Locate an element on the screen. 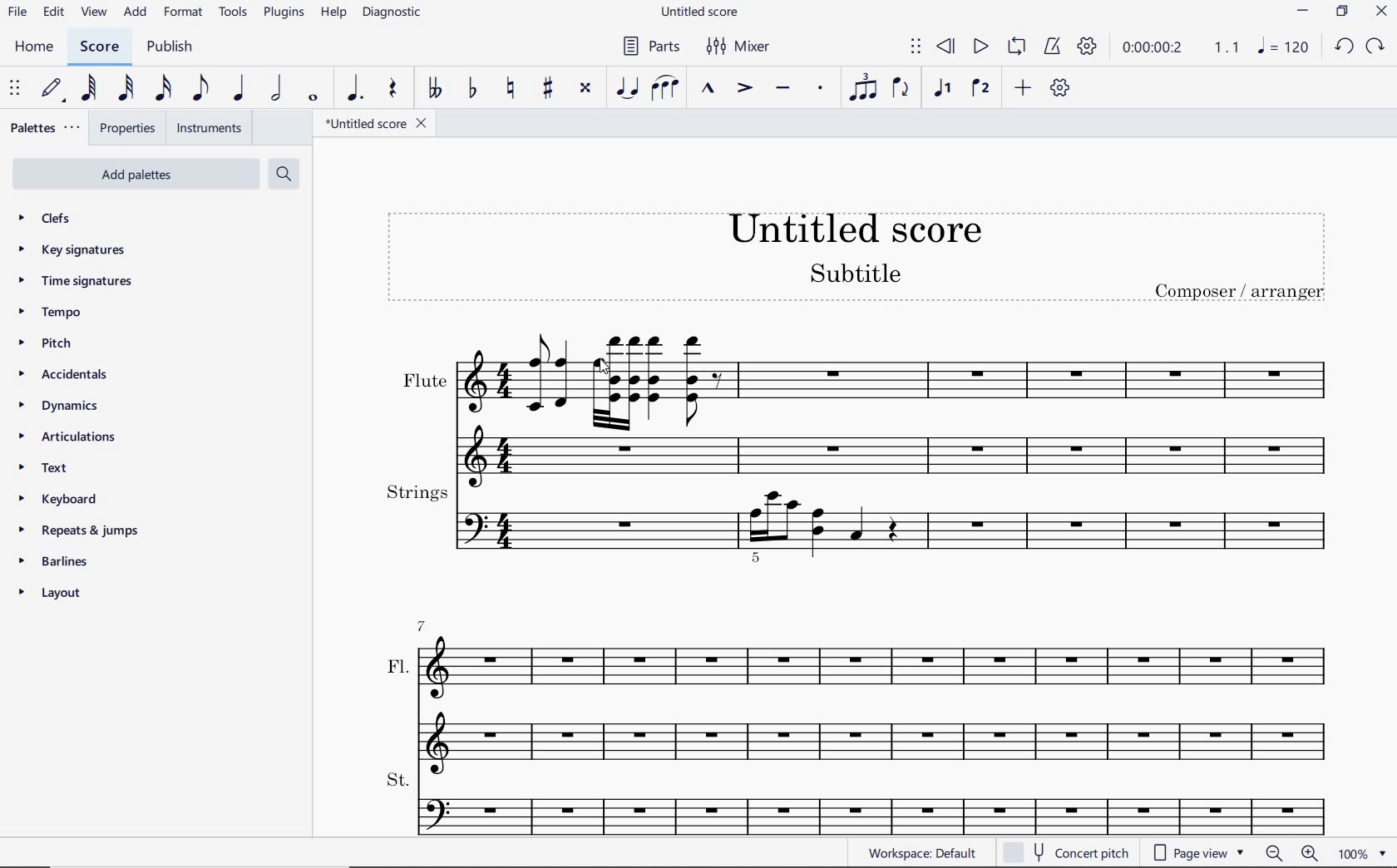 The width and height of the screenshot is (1397, 868). tempo is located at coordinates (71, 311).